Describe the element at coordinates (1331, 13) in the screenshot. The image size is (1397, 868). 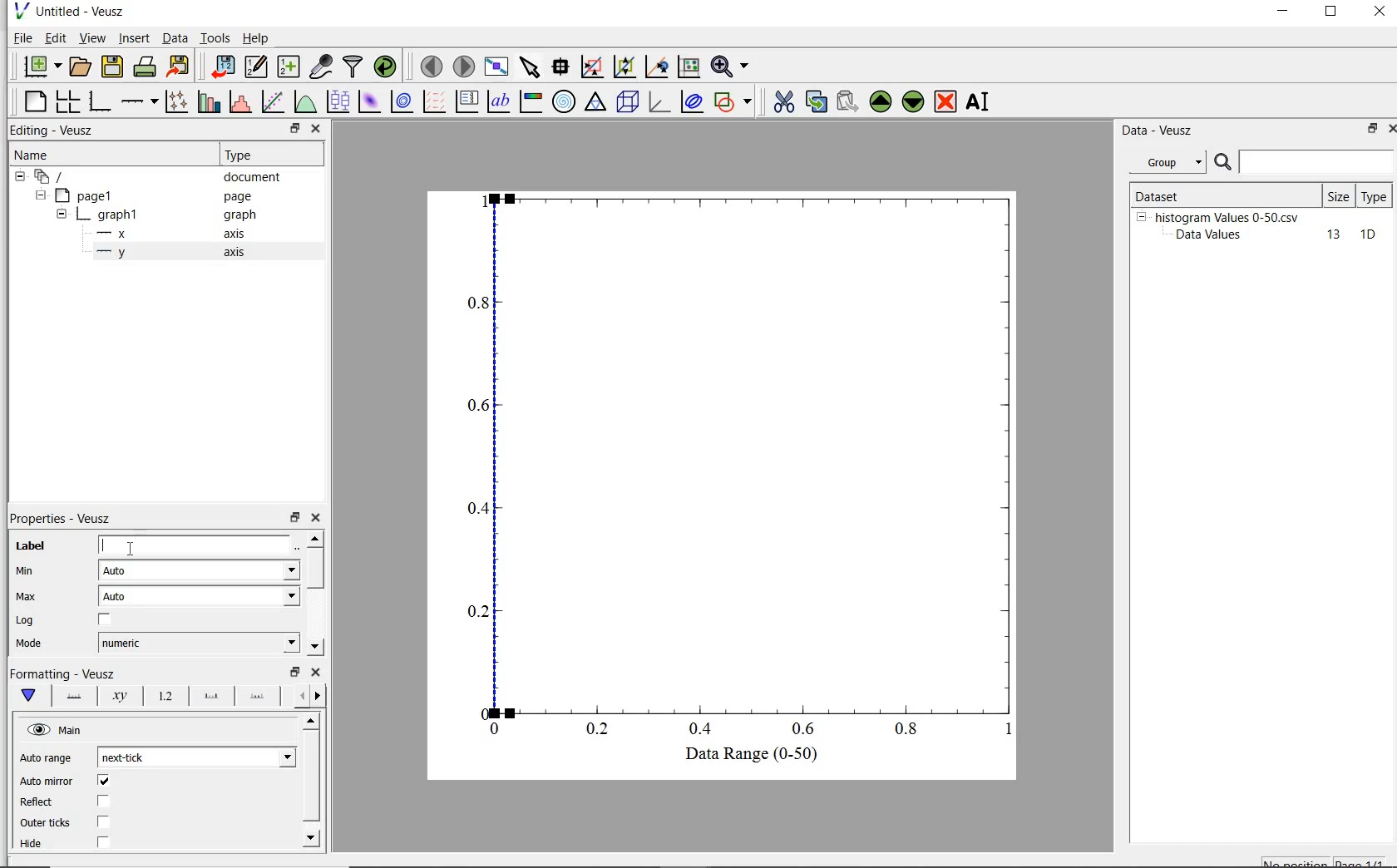
I see `restore down` at that location.